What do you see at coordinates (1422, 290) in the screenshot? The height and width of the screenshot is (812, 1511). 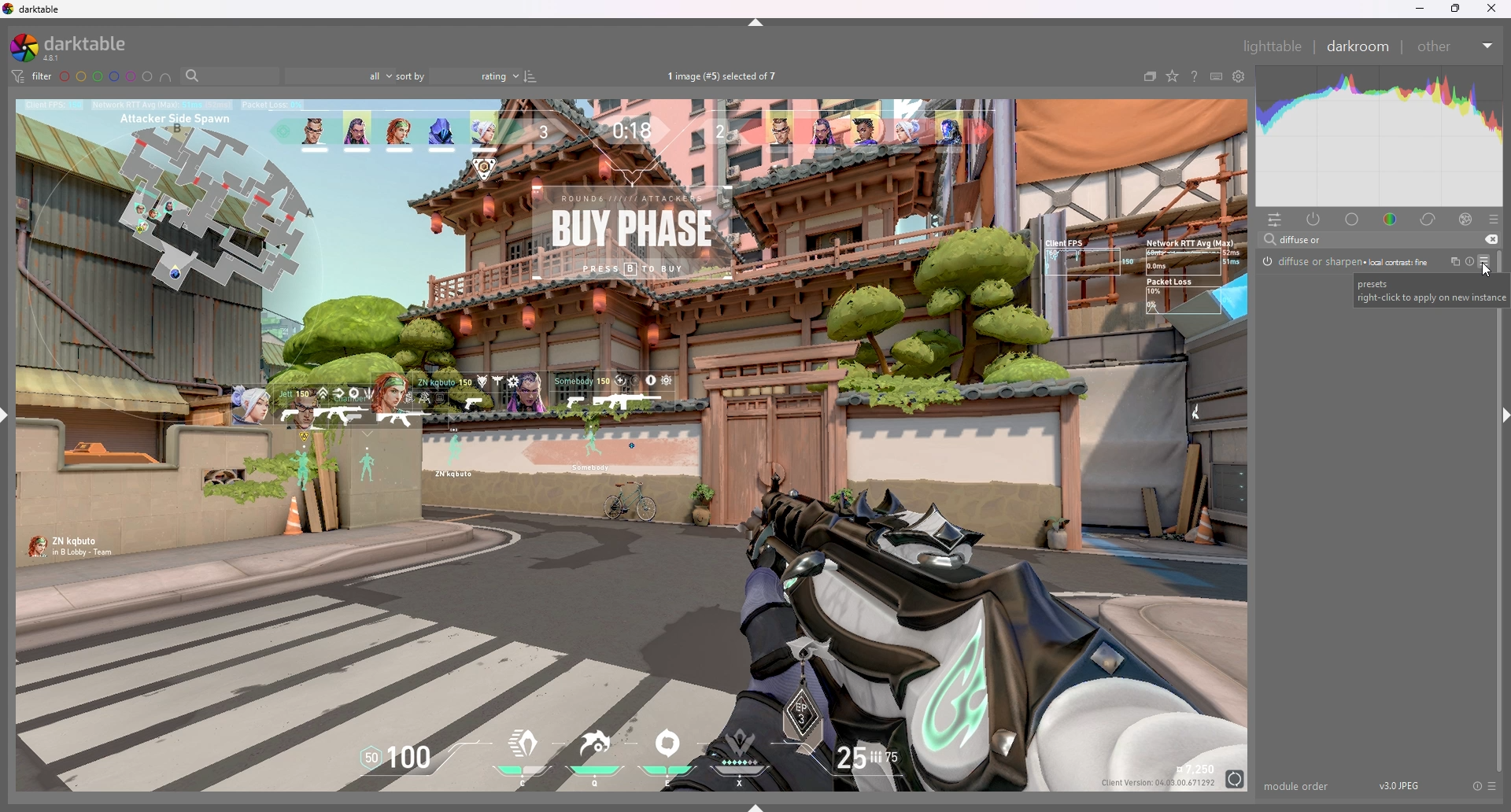 I see `cursor description` at bounding box center [1422, 290].